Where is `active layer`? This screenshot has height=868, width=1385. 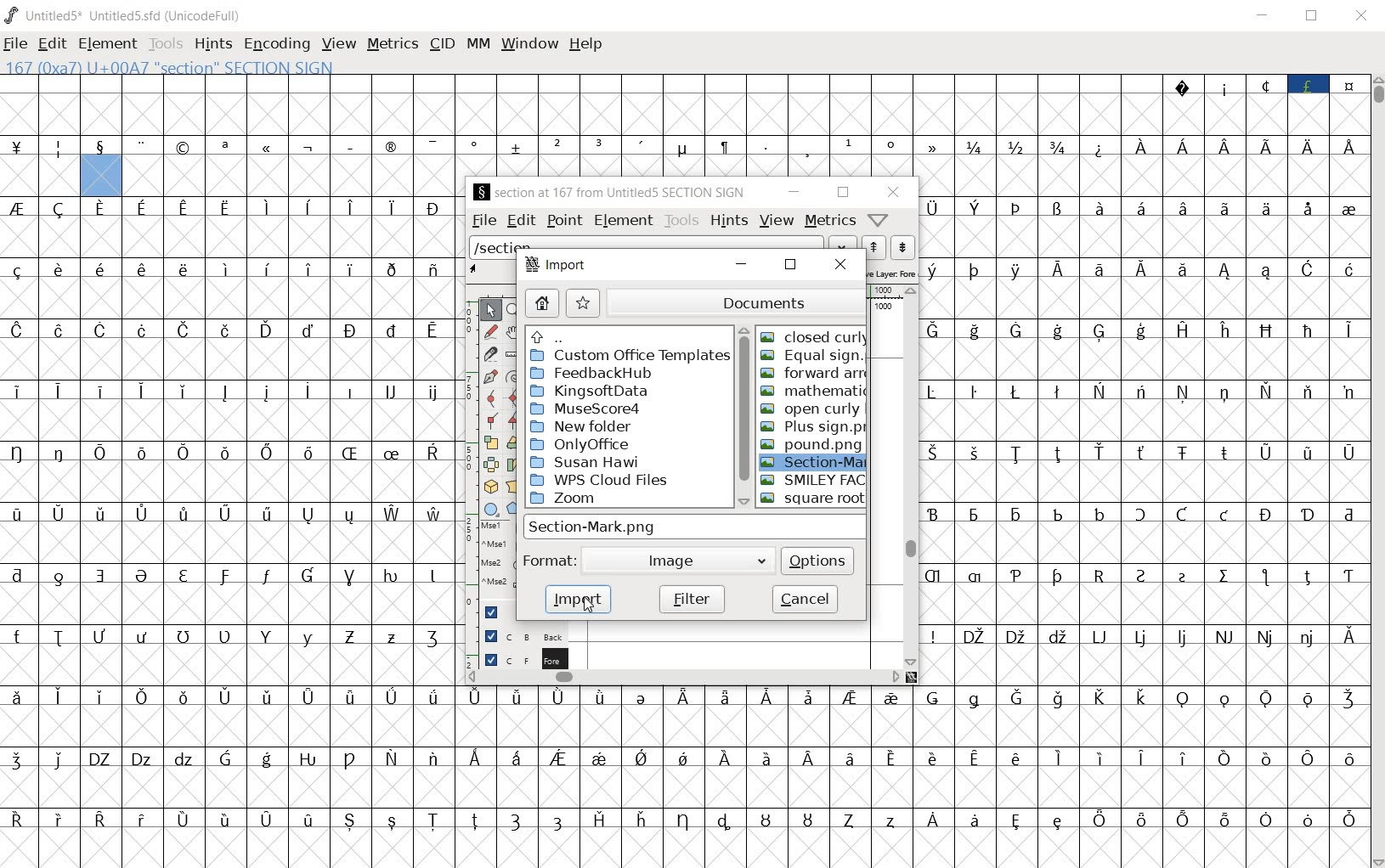
active layer is located at coordinates (892, 273).